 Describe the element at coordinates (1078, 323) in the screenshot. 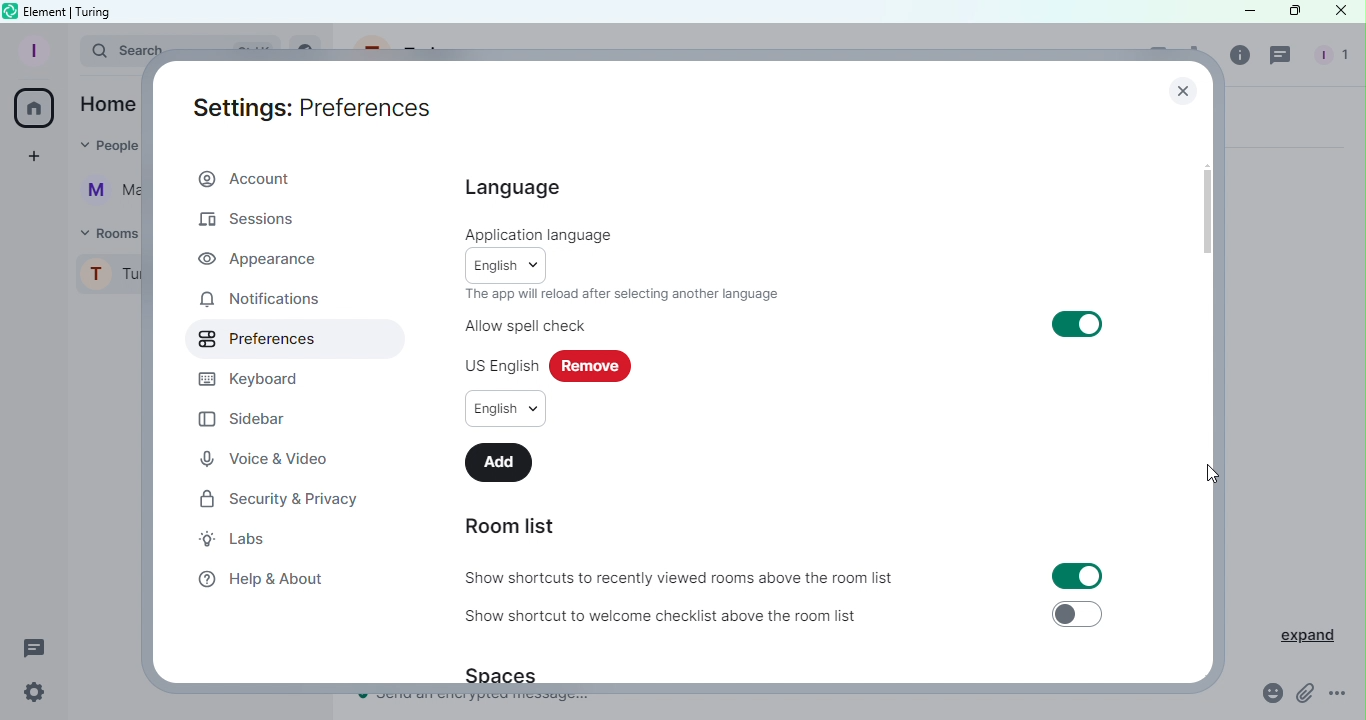

I see `Toggle` at that location.